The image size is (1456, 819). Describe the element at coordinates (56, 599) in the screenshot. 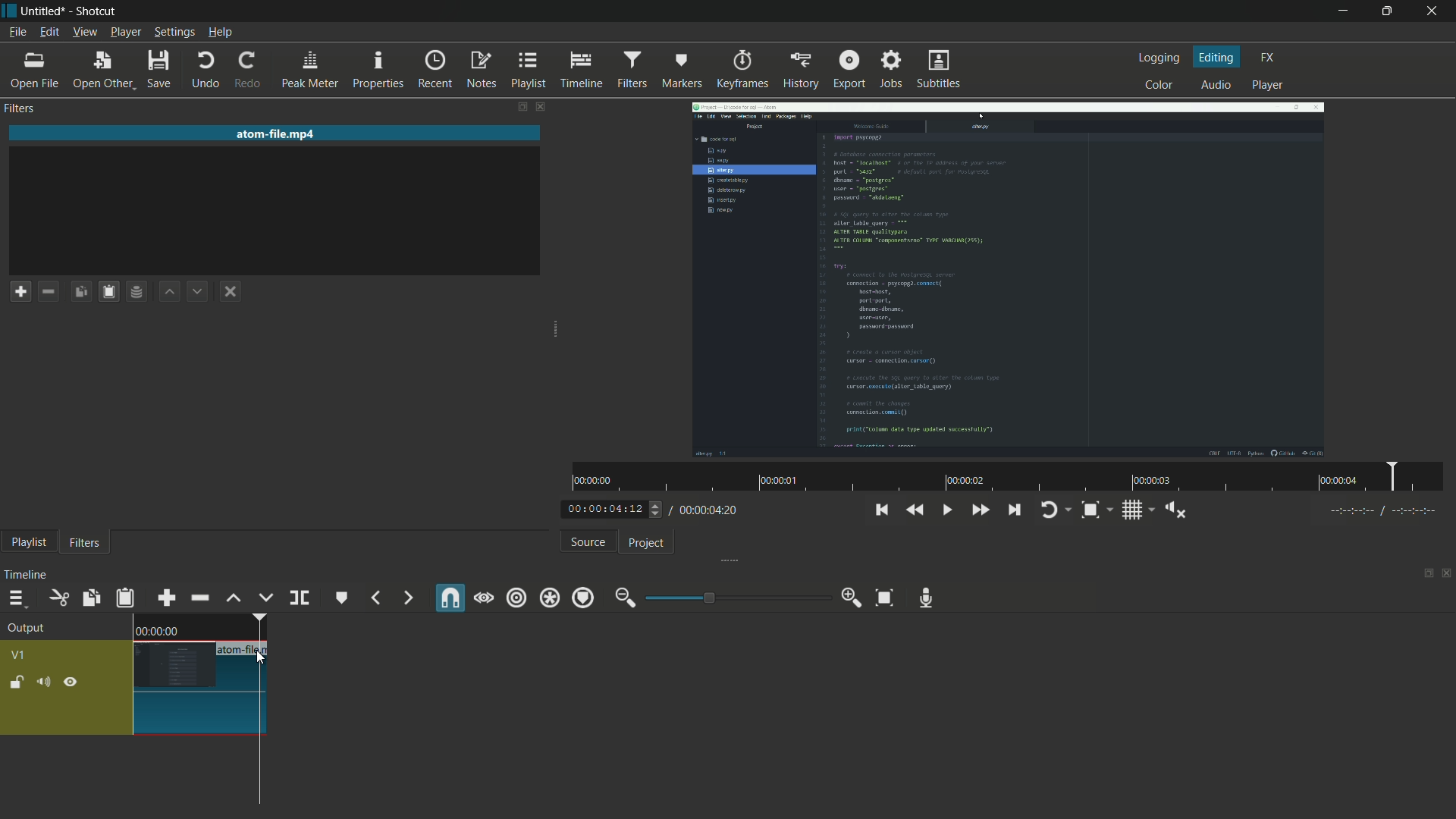

I see `cut` at that location.